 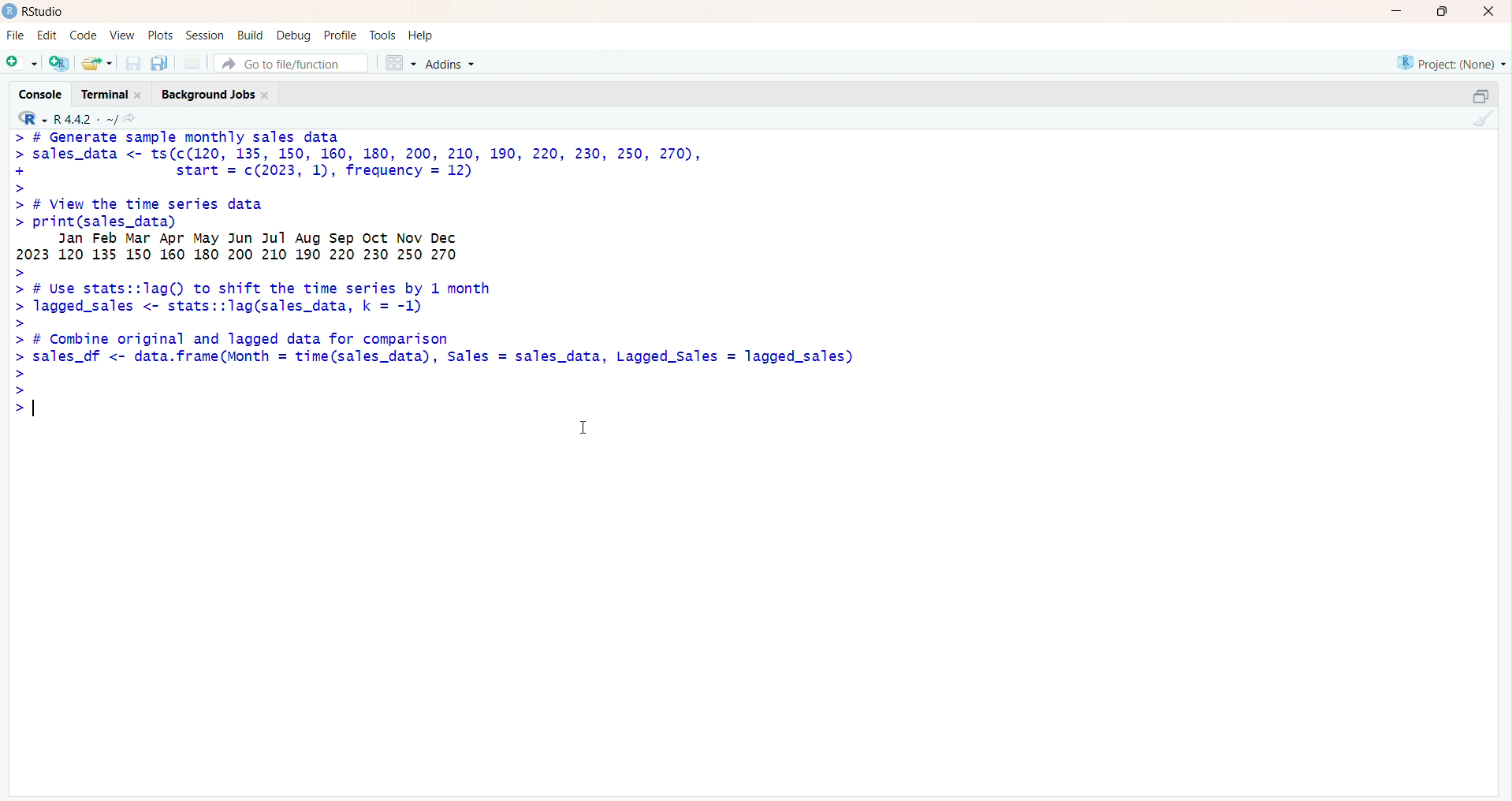 What do you see at coordinates (134, 64) in the screenshot?
I see `save current document` at bounding box center [134, 64].